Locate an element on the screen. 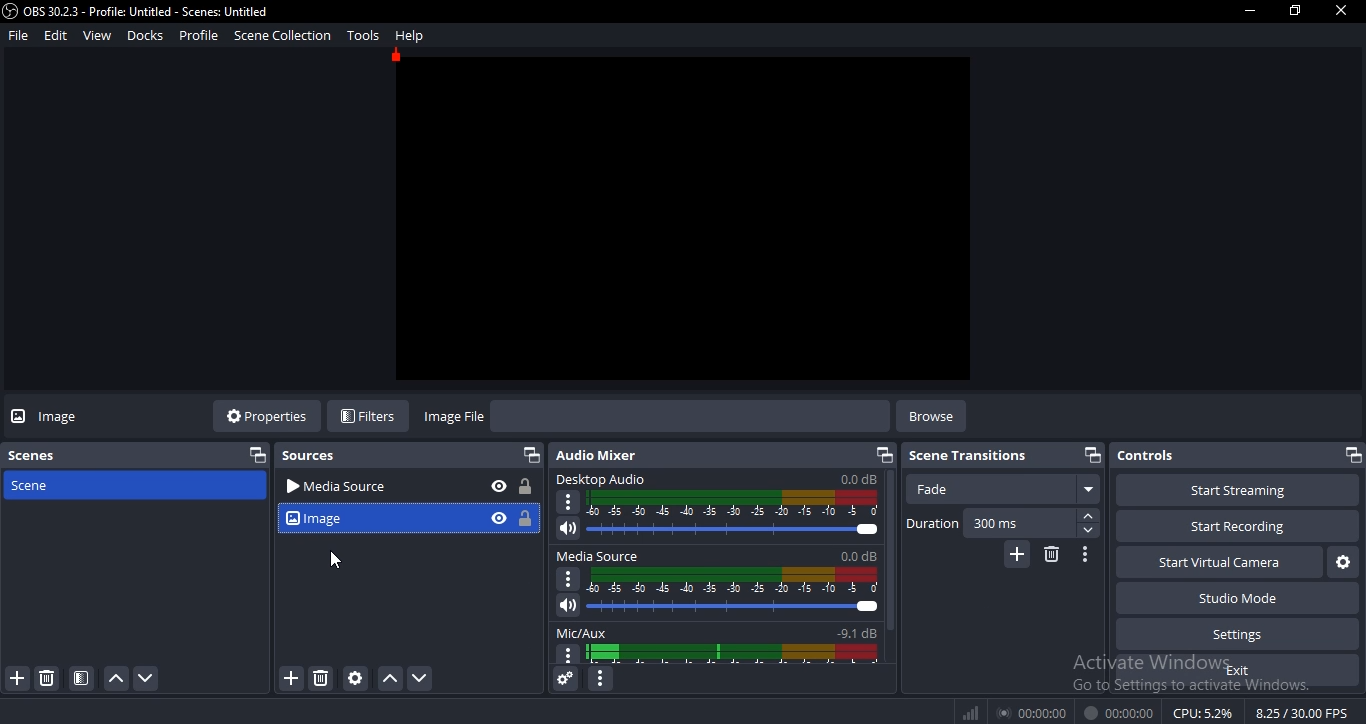 The width and height of the screenshot is (1366, 724). 300ms is located at coordinates (995, 523).